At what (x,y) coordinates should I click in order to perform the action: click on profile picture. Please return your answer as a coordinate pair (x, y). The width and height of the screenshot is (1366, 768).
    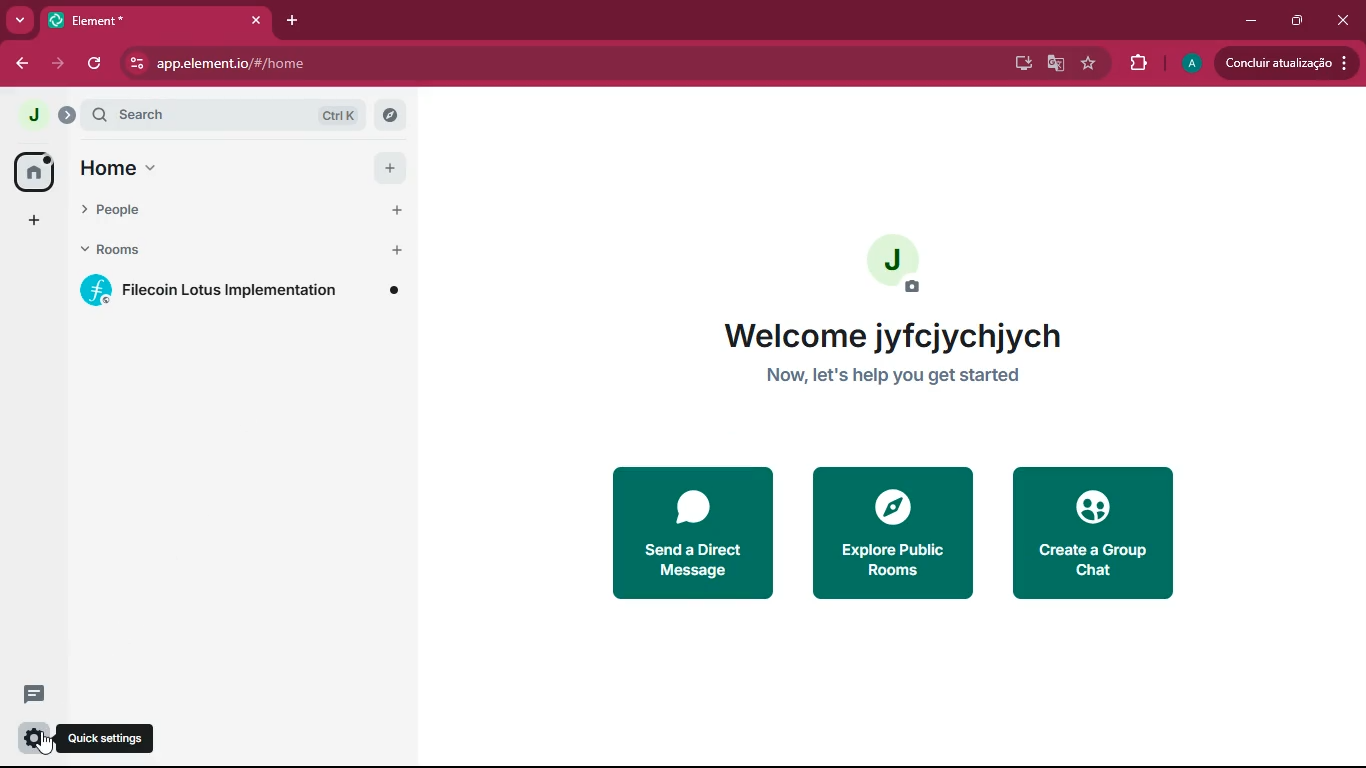
    Looking at the image, I should click on (896, 266).